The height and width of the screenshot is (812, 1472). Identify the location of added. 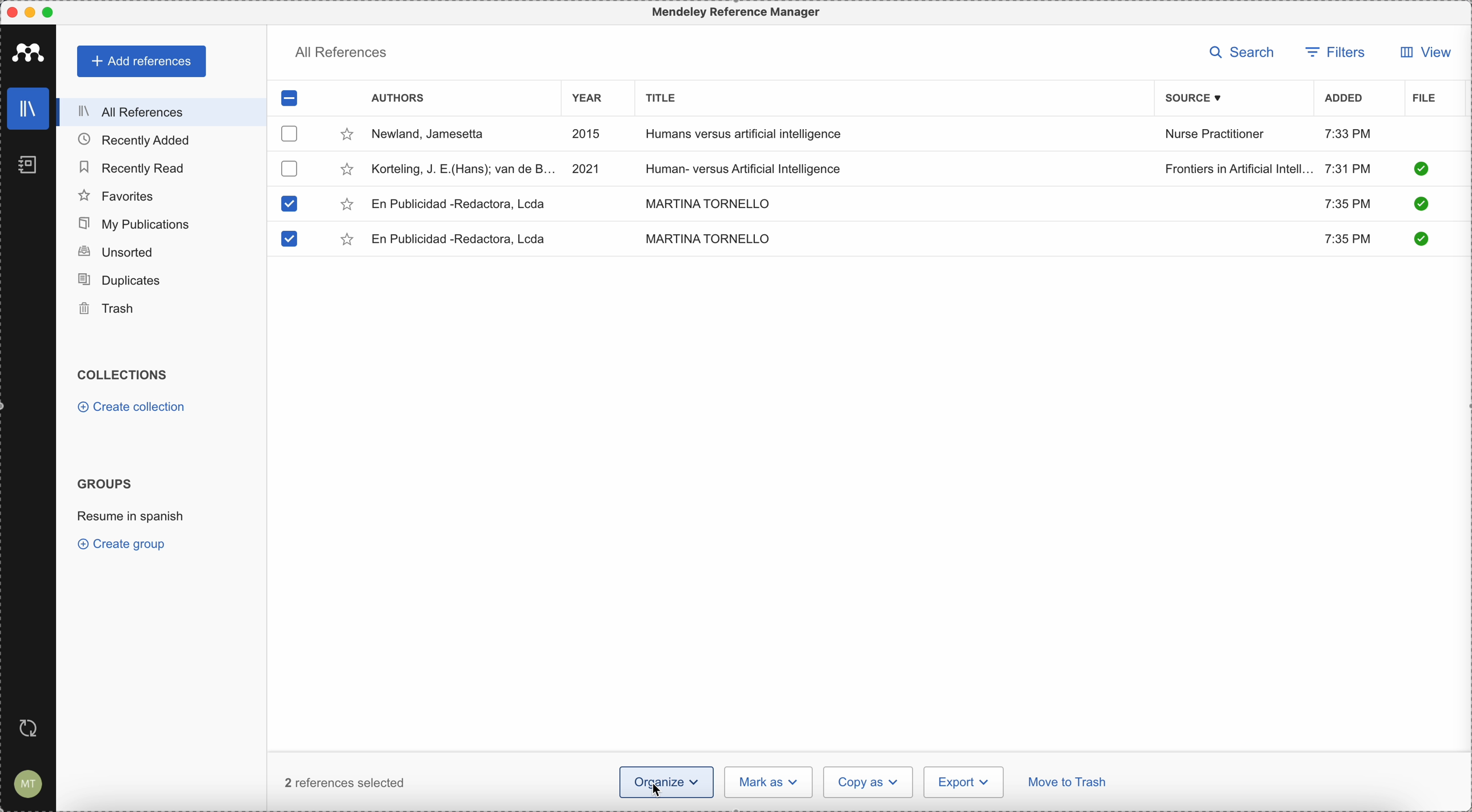
(1344, 99).